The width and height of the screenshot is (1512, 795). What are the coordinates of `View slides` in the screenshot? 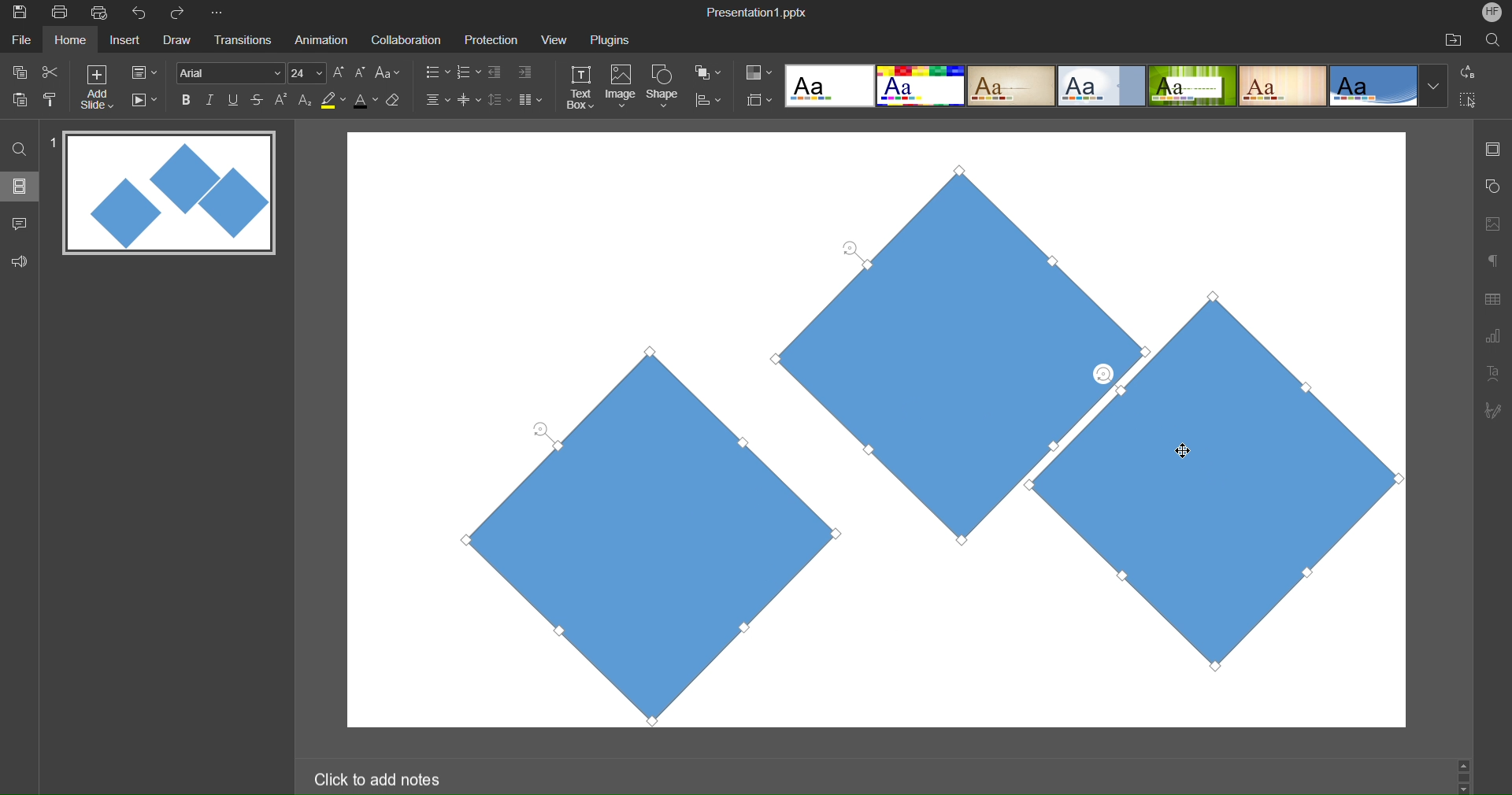 It's located at (19, 185).